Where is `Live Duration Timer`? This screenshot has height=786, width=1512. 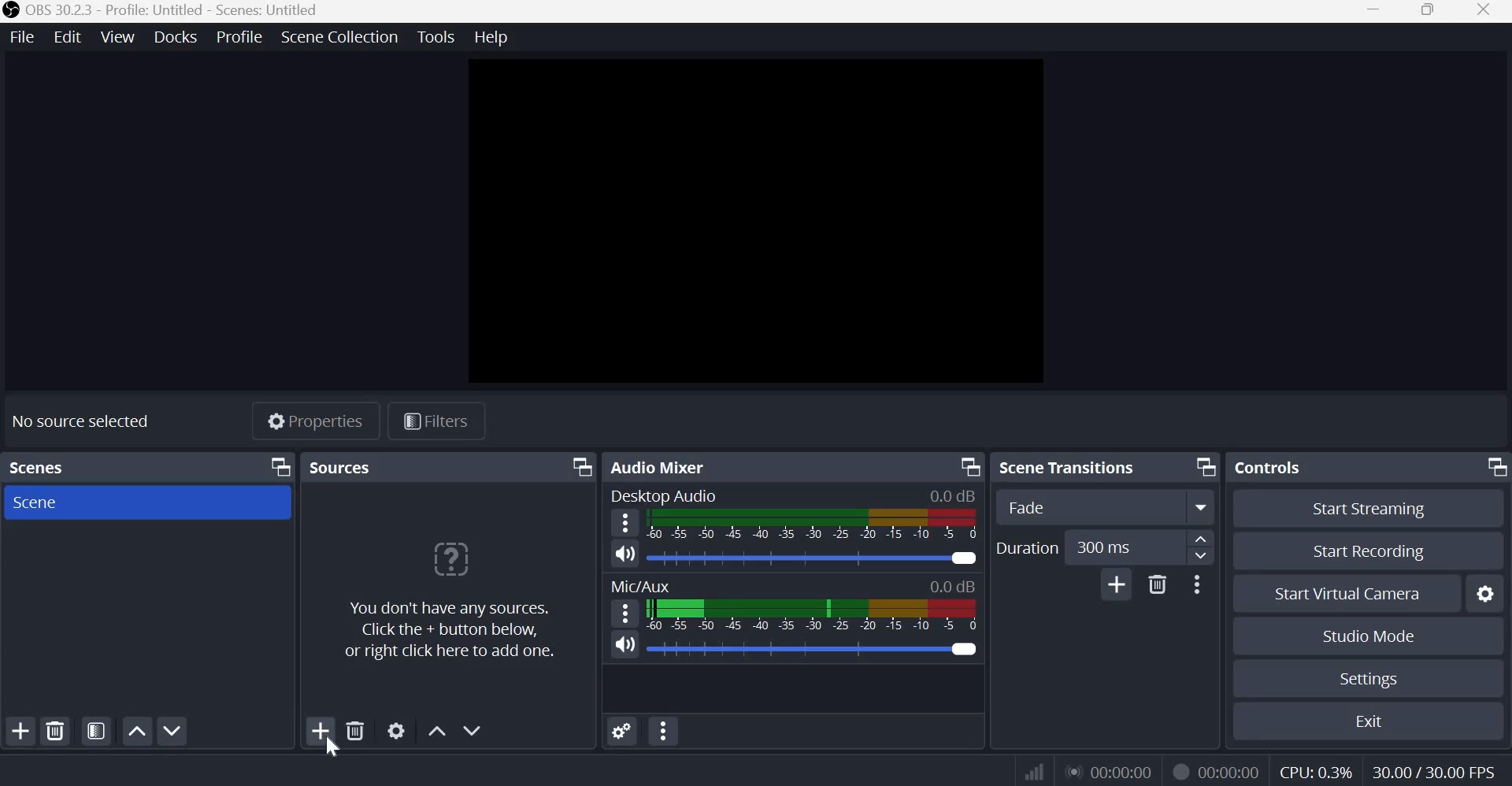
Live Duration Timer is located at coordinates (1180, 770).